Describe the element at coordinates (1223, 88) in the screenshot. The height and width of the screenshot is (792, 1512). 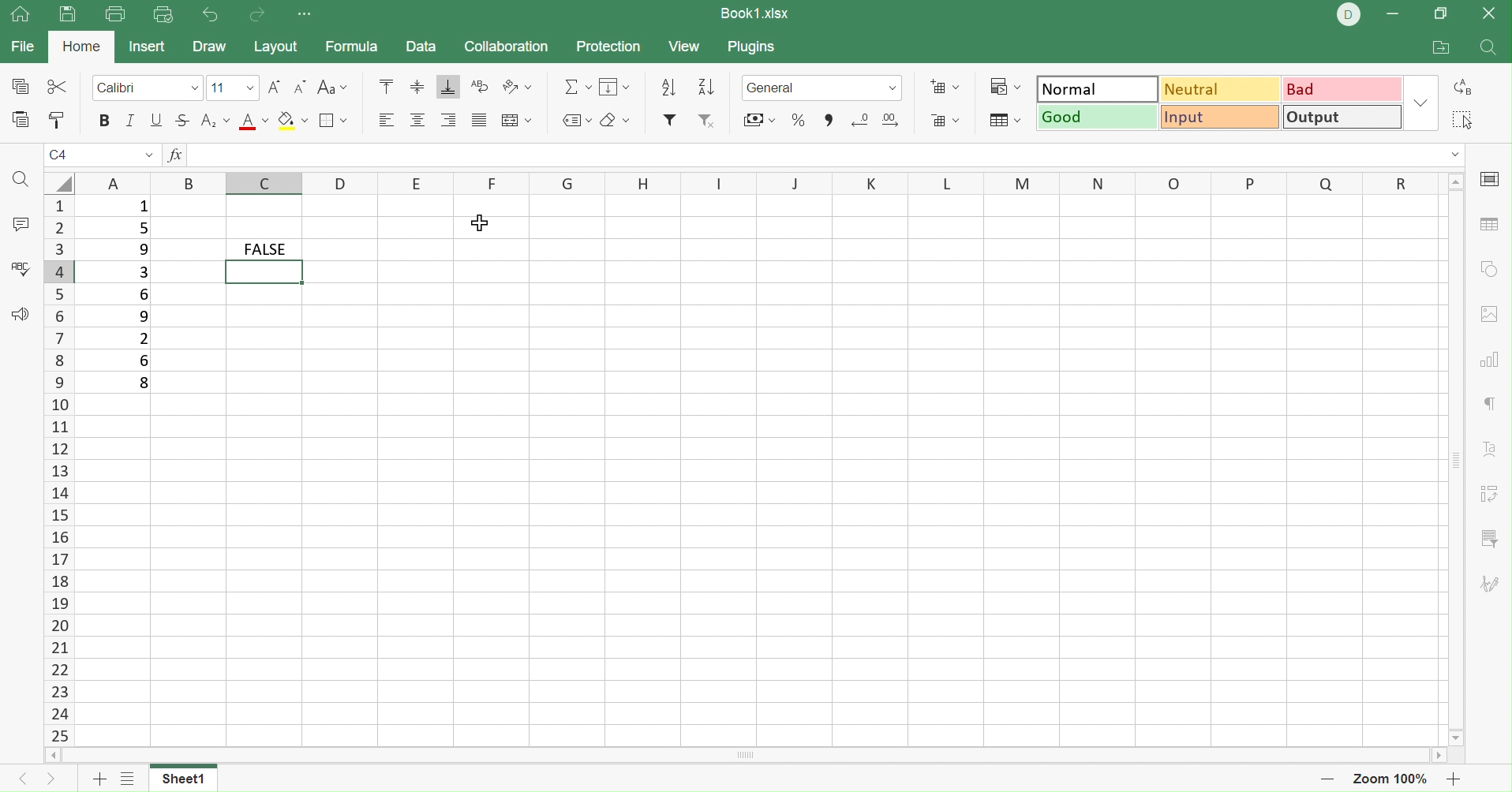
I see `Neutral` at that location.